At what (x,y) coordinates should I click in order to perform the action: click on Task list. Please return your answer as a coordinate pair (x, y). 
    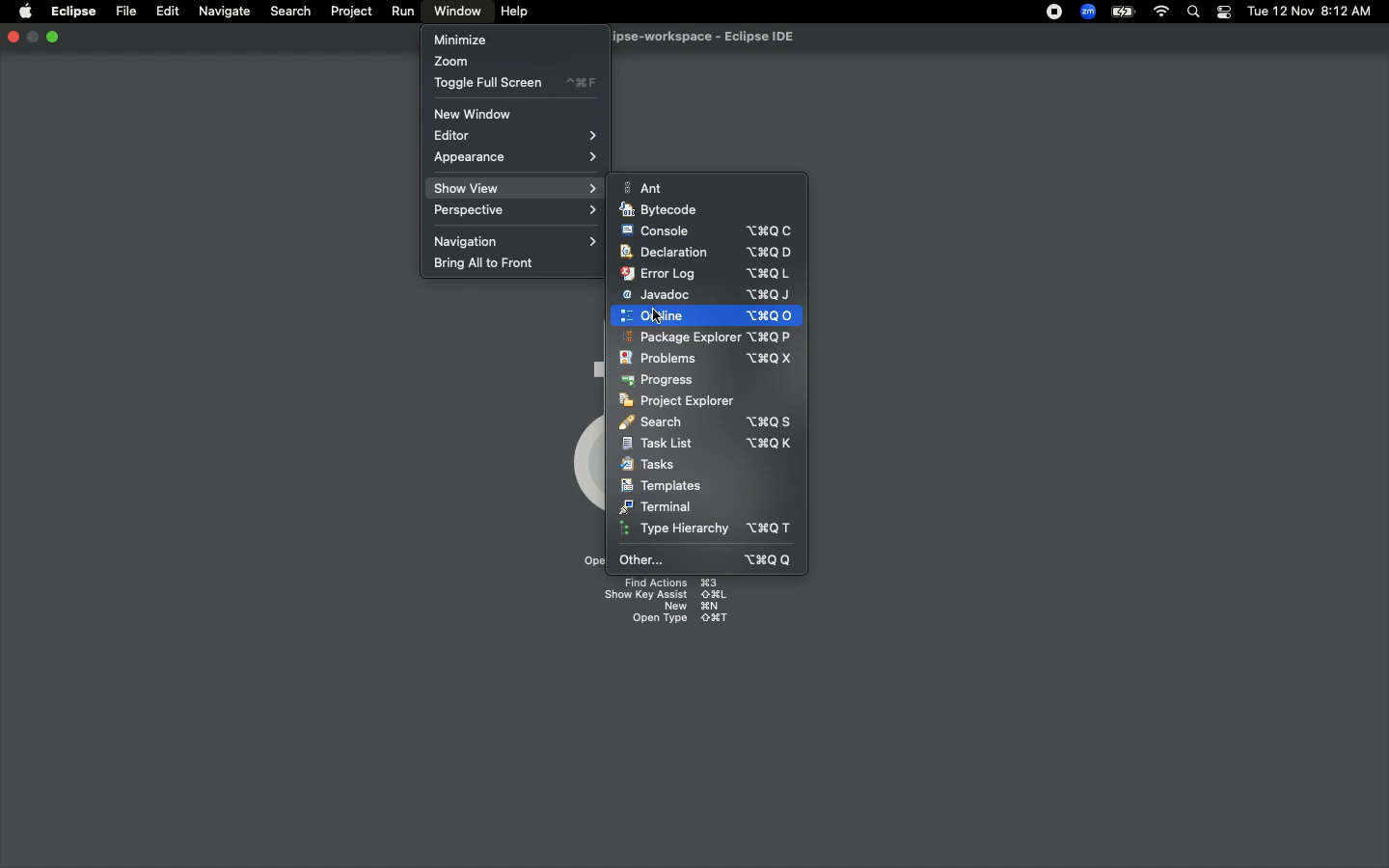
    Looking at the image, I should click on (708, 443).